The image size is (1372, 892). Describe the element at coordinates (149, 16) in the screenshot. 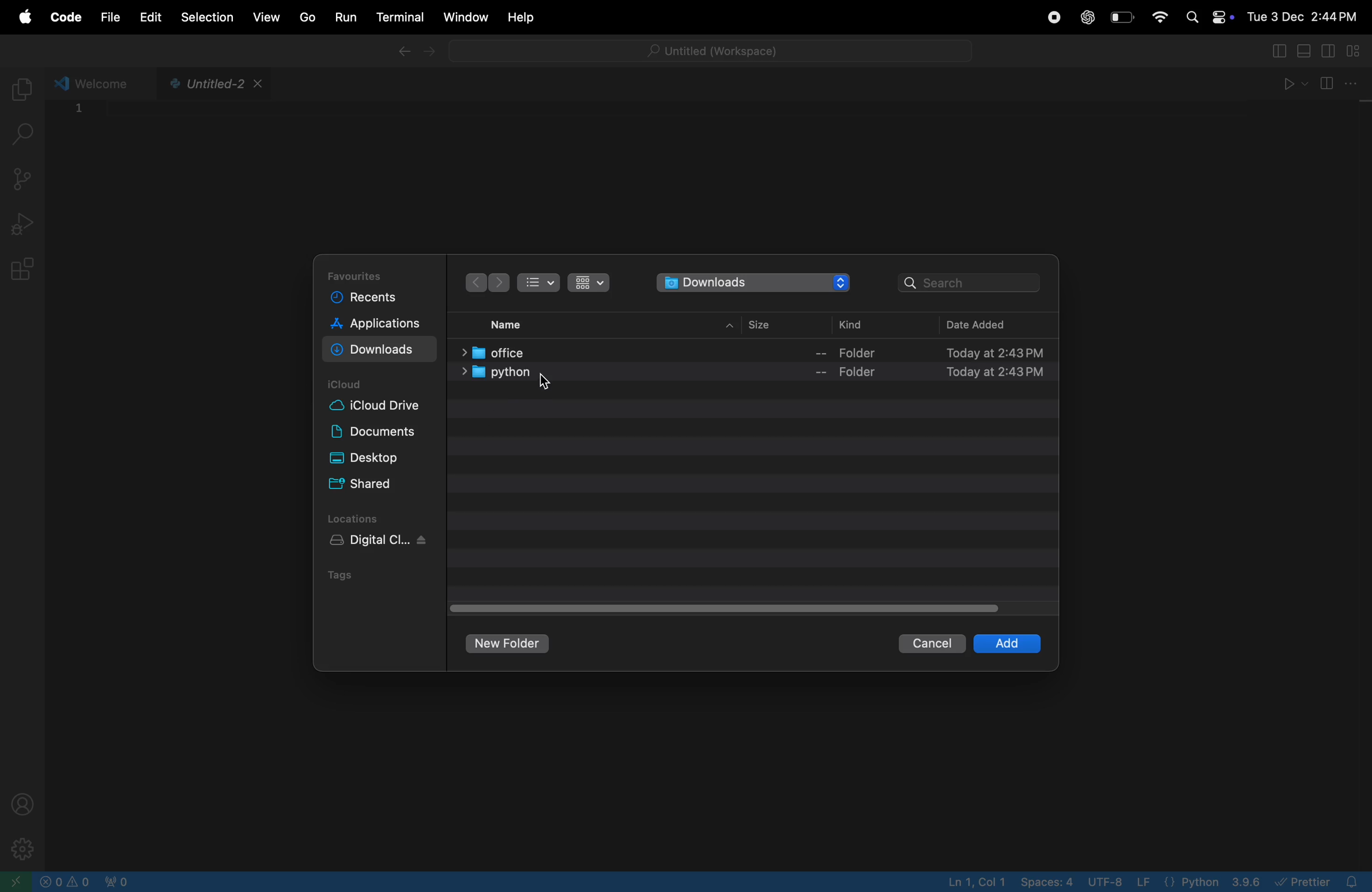

I see `edit` at that location.